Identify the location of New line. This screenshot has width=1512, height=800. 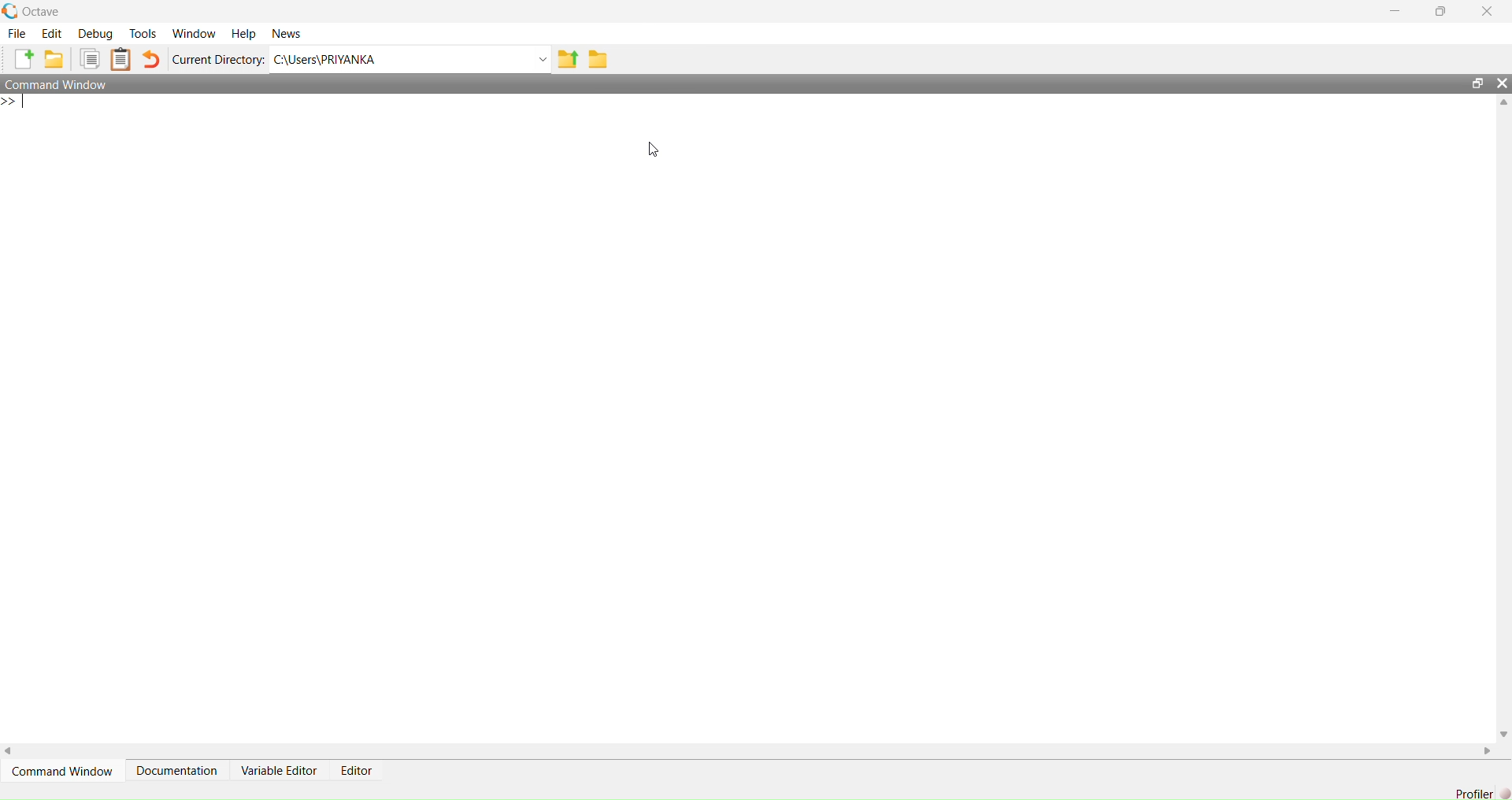
(13, 102).